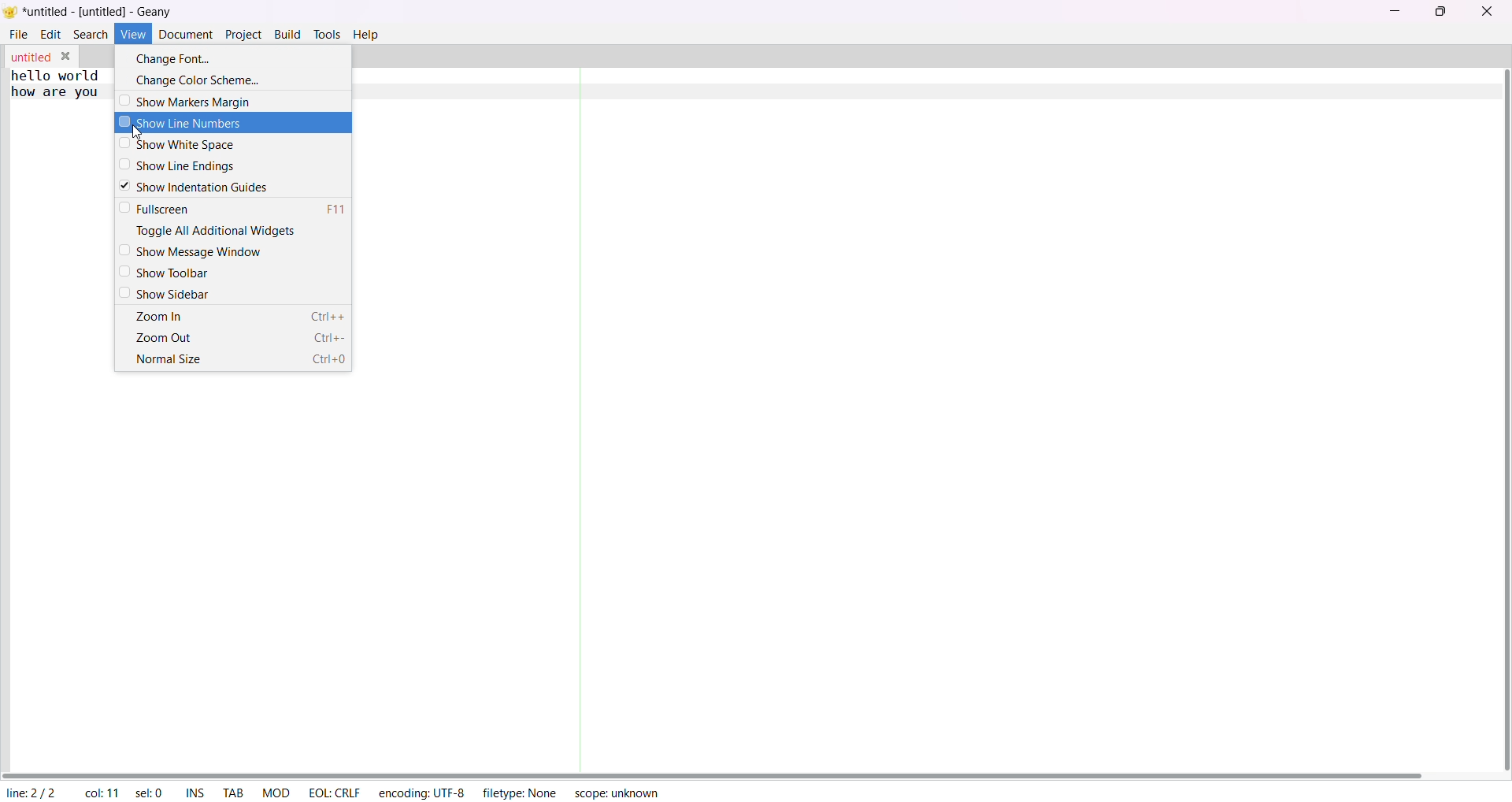 The image size is (1512, 802). I want to click on edit, so click(49, 33).